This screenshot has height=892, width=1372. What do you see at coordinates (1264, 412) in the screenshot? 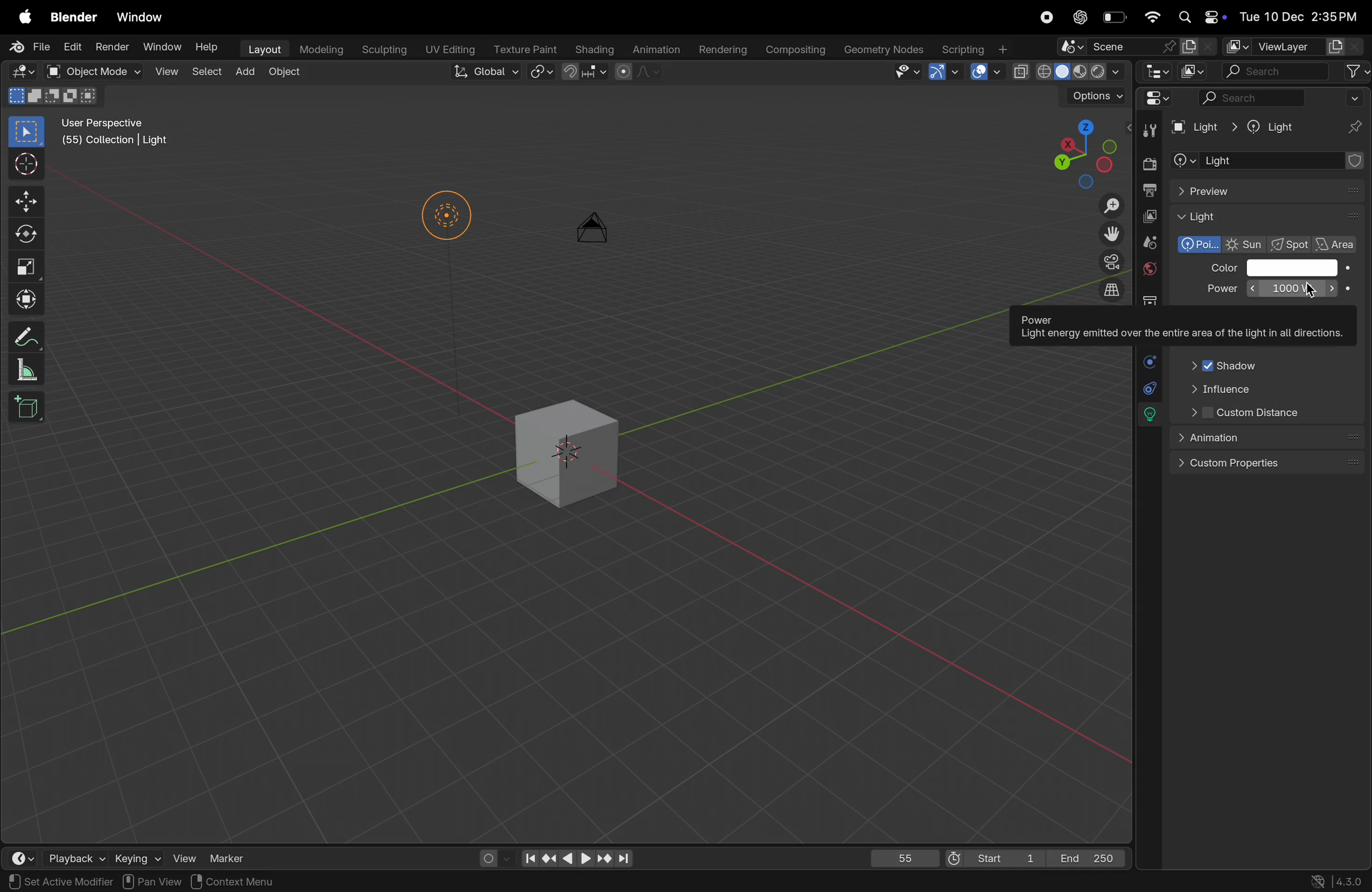
I see `Custom distance` at bounding box center [1264, 412].